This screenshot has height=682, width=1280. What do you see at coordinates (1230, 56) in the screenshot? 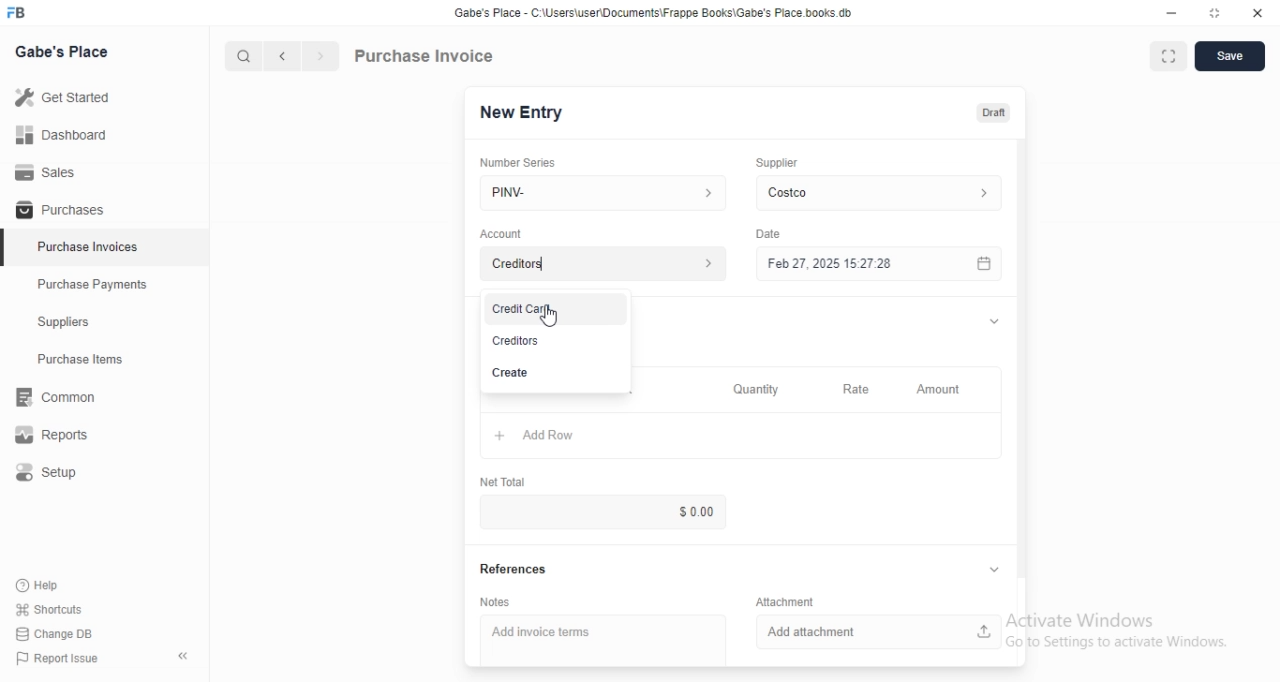
I see `Save` at bounding box center [1230, 56].